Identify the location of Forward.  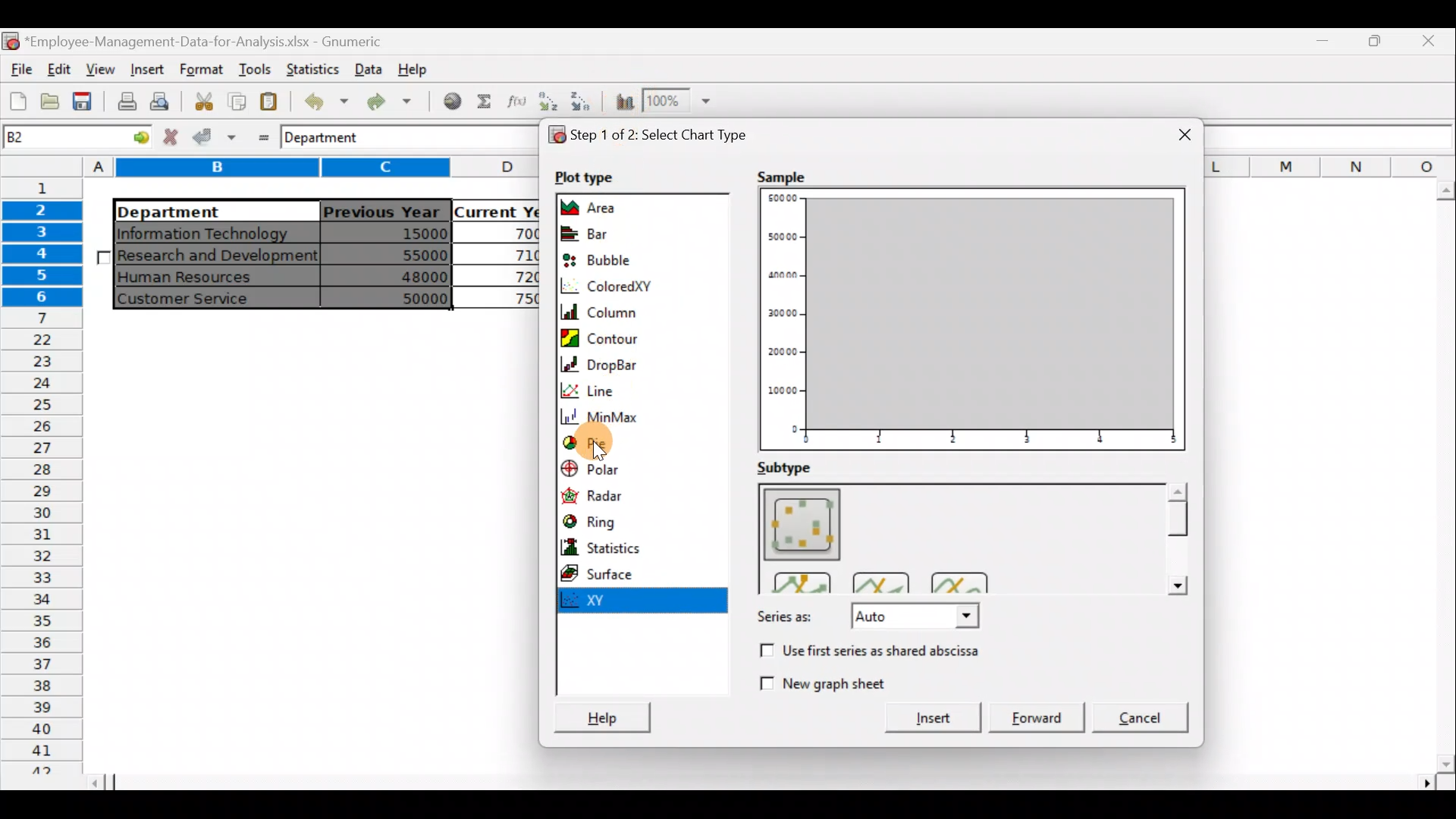
(1038, 712).